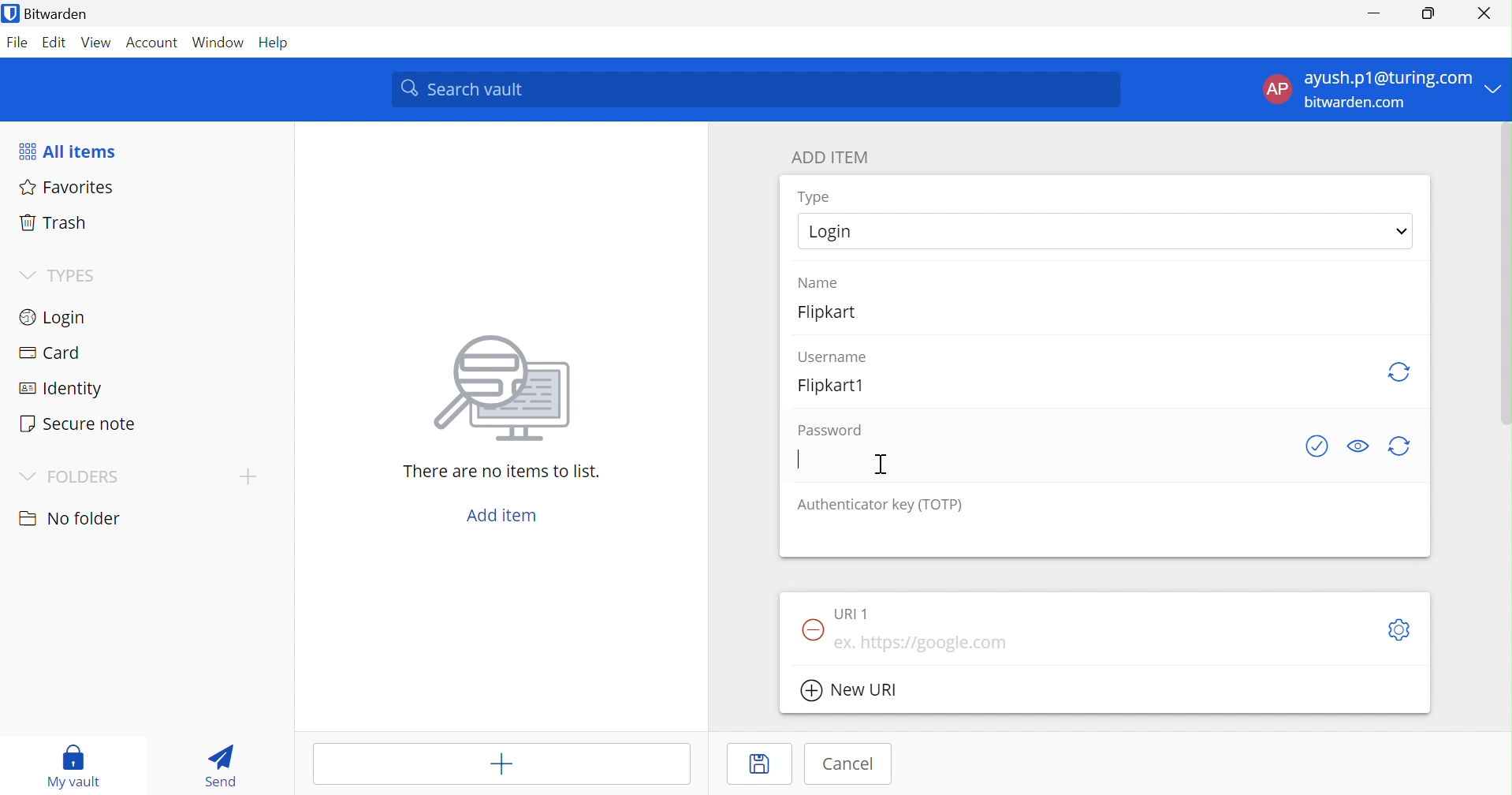 The image size is (1512, 795). What do you see at coordinates (837, 317) in the screenshot?
I see `Flipkart` at bounding box center [837, 317].